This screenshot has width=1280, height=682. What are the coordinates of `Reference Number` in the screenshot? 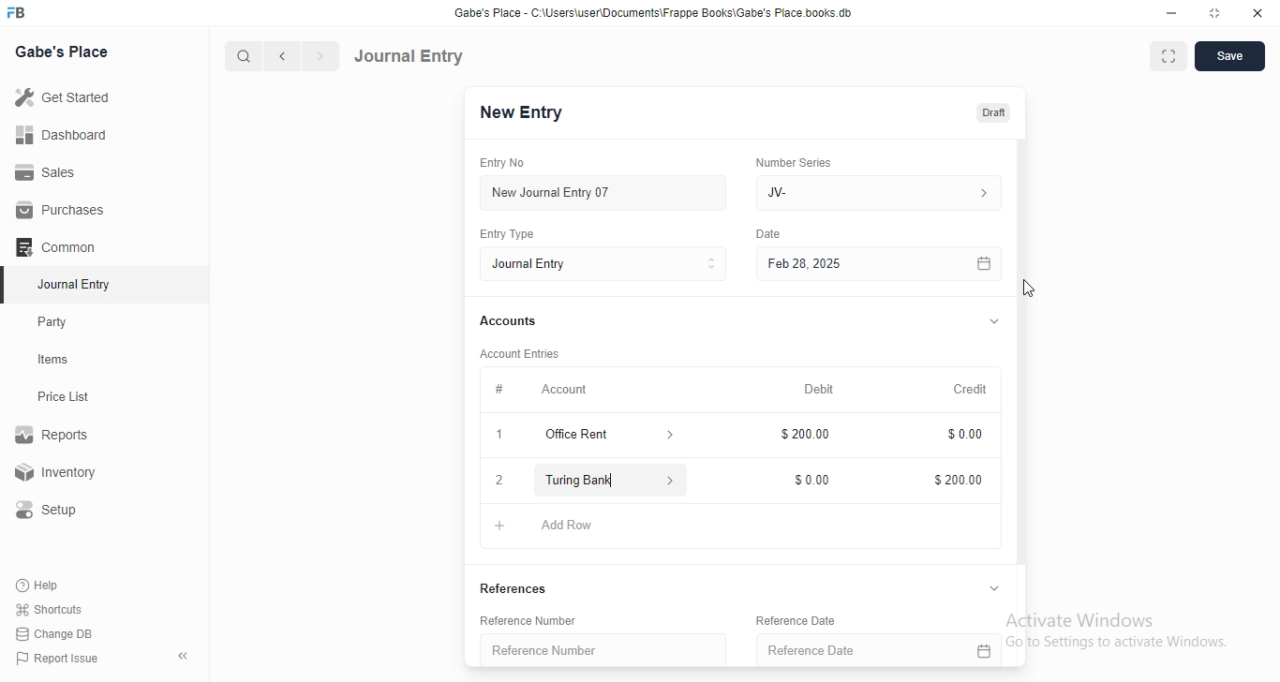 It's located at (539, 619).